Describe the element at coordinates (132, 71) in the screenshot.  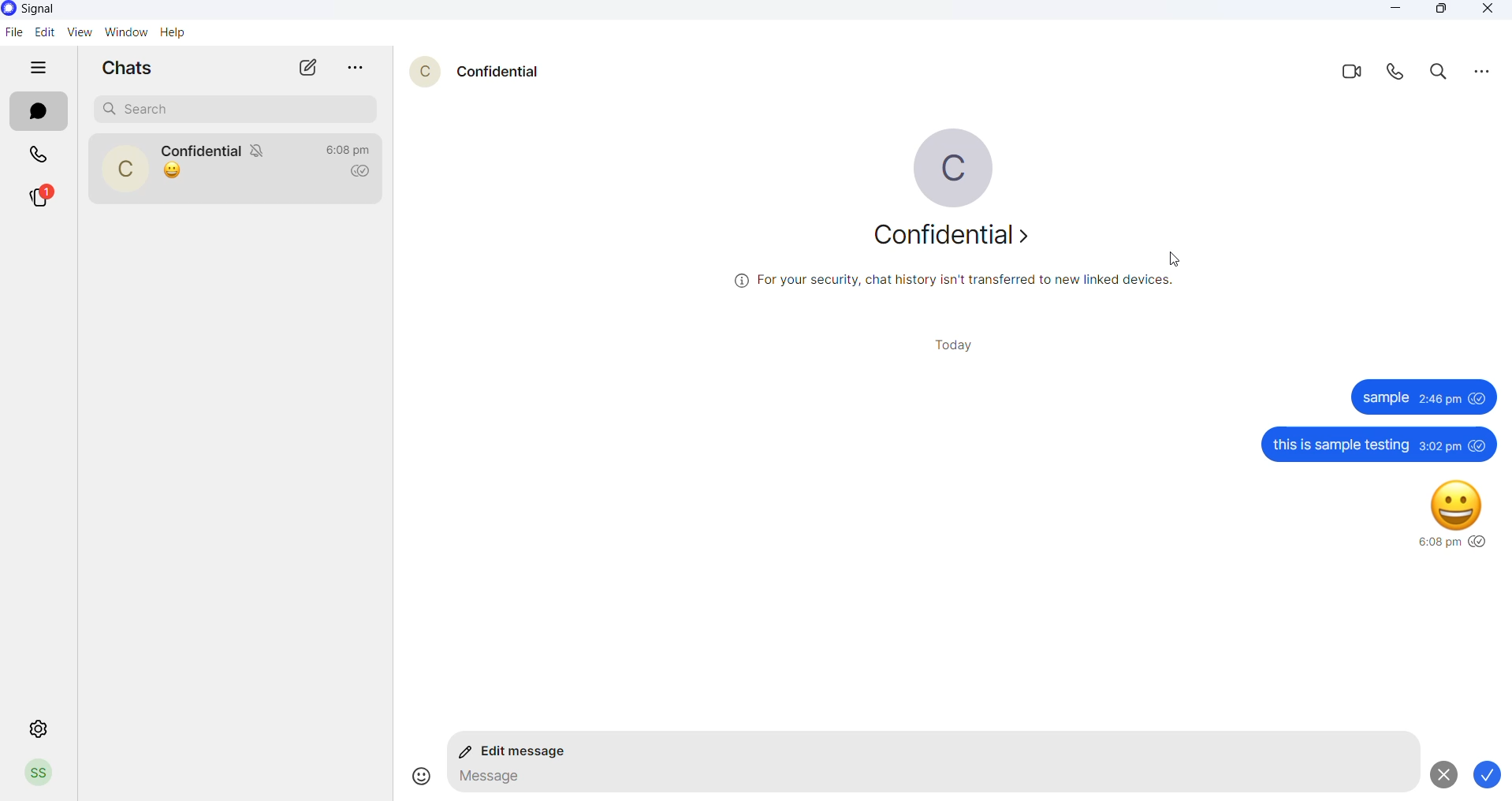
I see `chats heading` at that location.